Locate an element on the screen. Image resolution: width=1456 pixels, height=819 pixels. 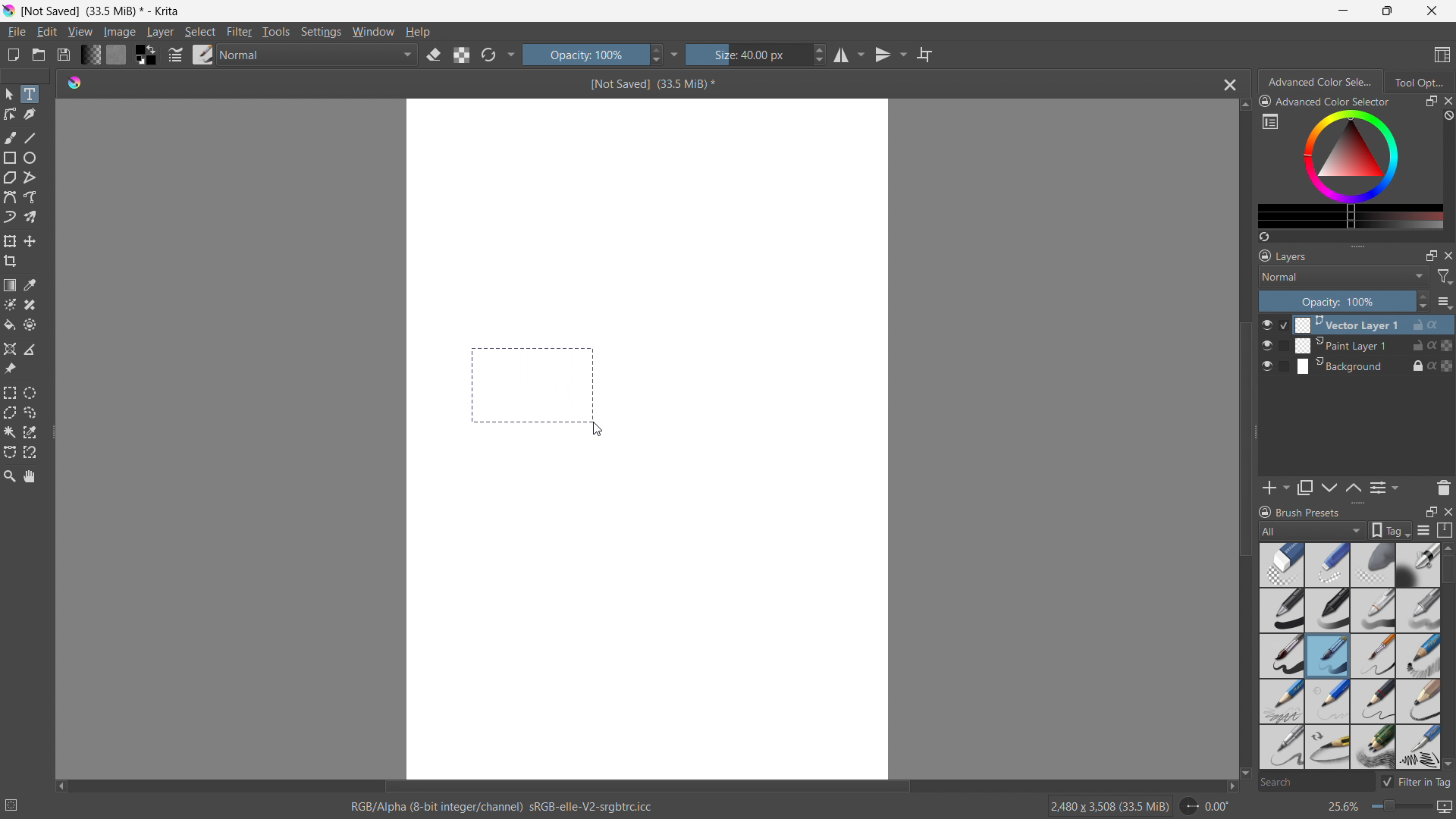
close is located at coordinates (1447, 510).